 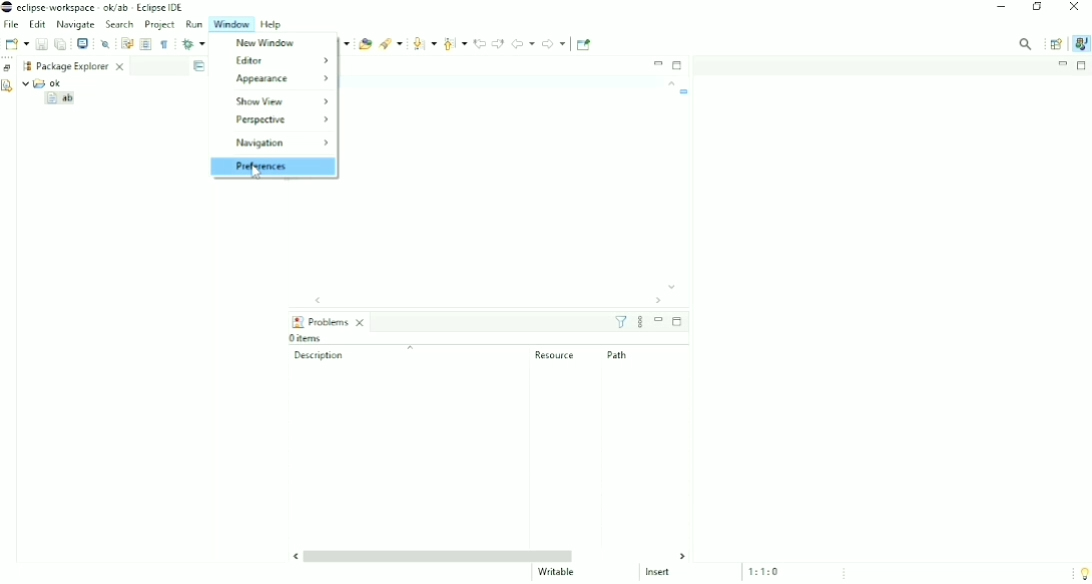 What do you see at coordinates (25, 66) in the screenshot?
I see `Workspace` at bounding box center [25, 66].